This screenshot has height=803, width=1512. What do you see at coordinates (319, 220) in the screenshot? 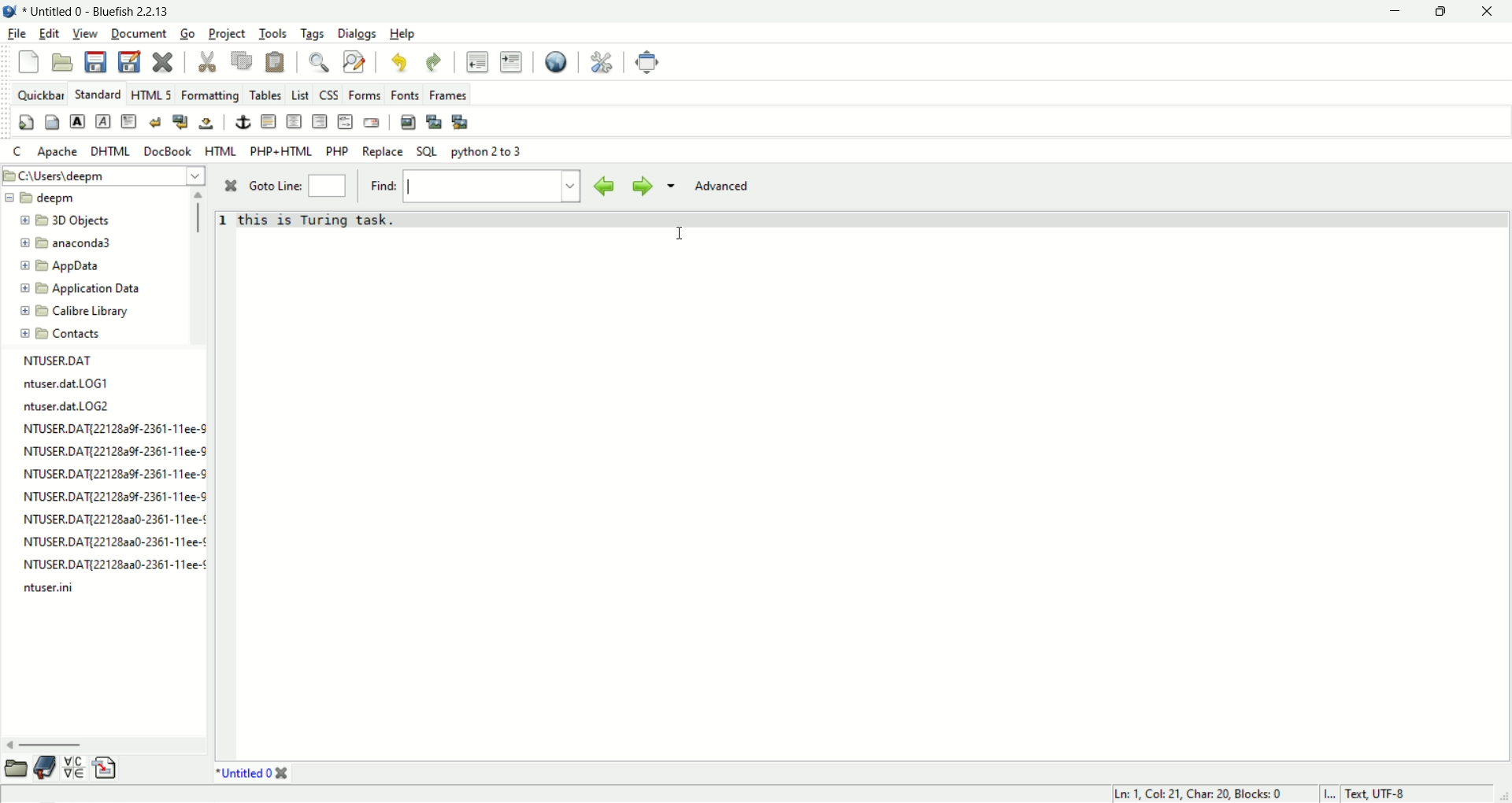
I see `this is Turing task.` at bounding box center [319, 220].